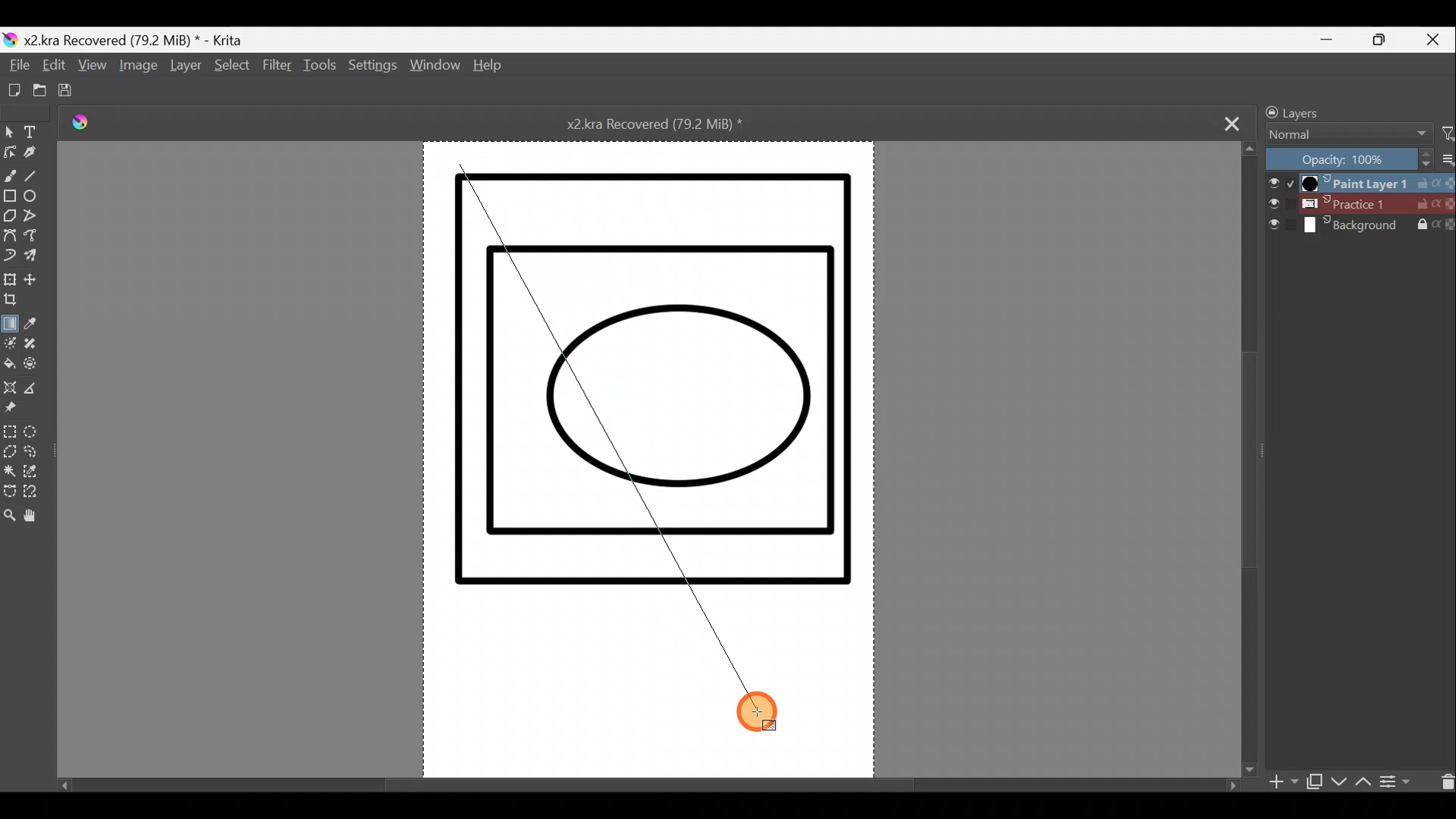 The image size is (1456, 819). What do you see at coordinates (14, 302) in the screenshot?
I see `Crop the image to an area` at bounding box center [14, 302].